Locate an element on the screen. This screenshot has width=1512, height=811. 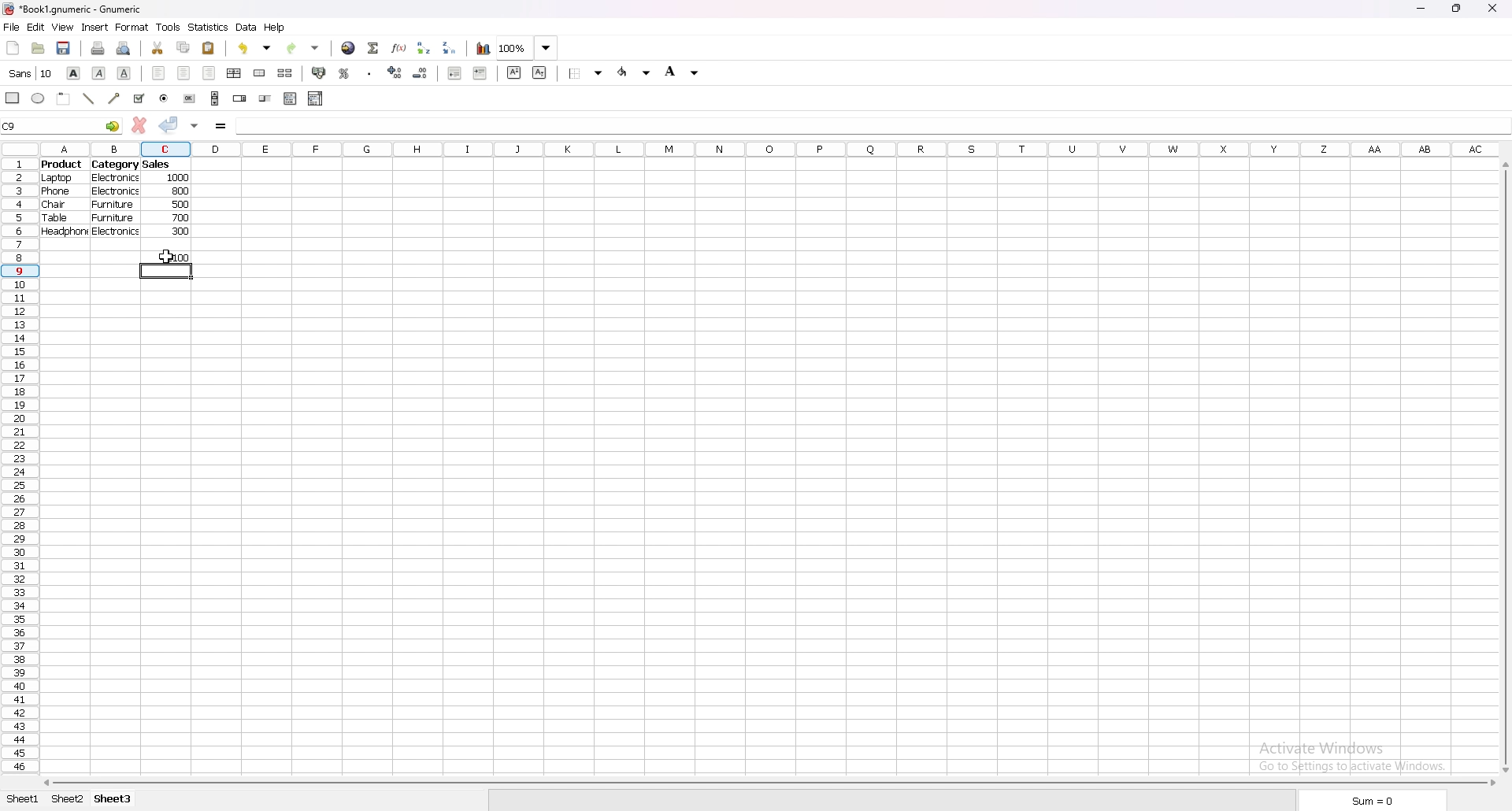
sheet 1 is located at coordinates (22, 800).